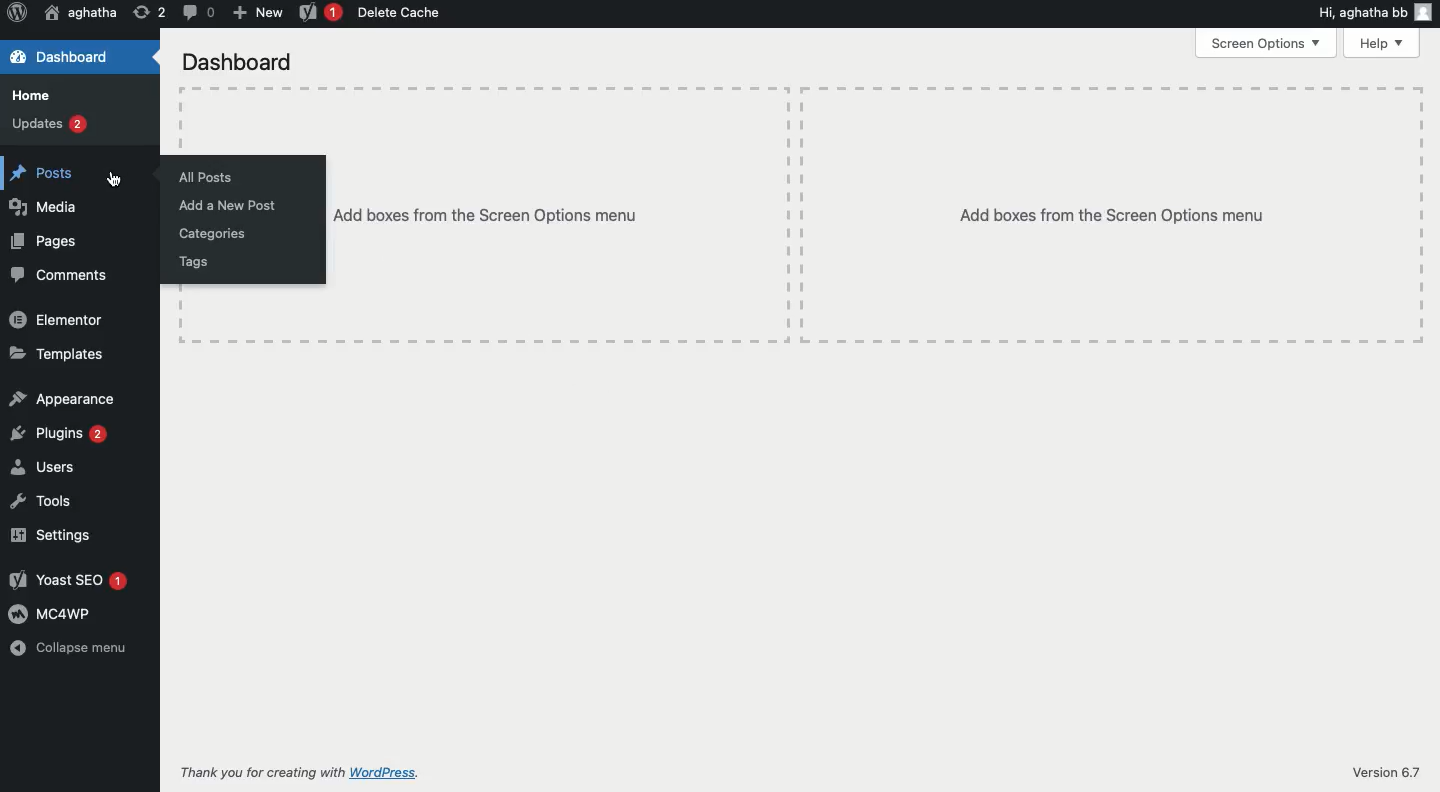 The image size is (1440, 792). What do you see at coordinates (51, 535) in the screenshot?
I see `Settings` at bounding box center [51, 535].